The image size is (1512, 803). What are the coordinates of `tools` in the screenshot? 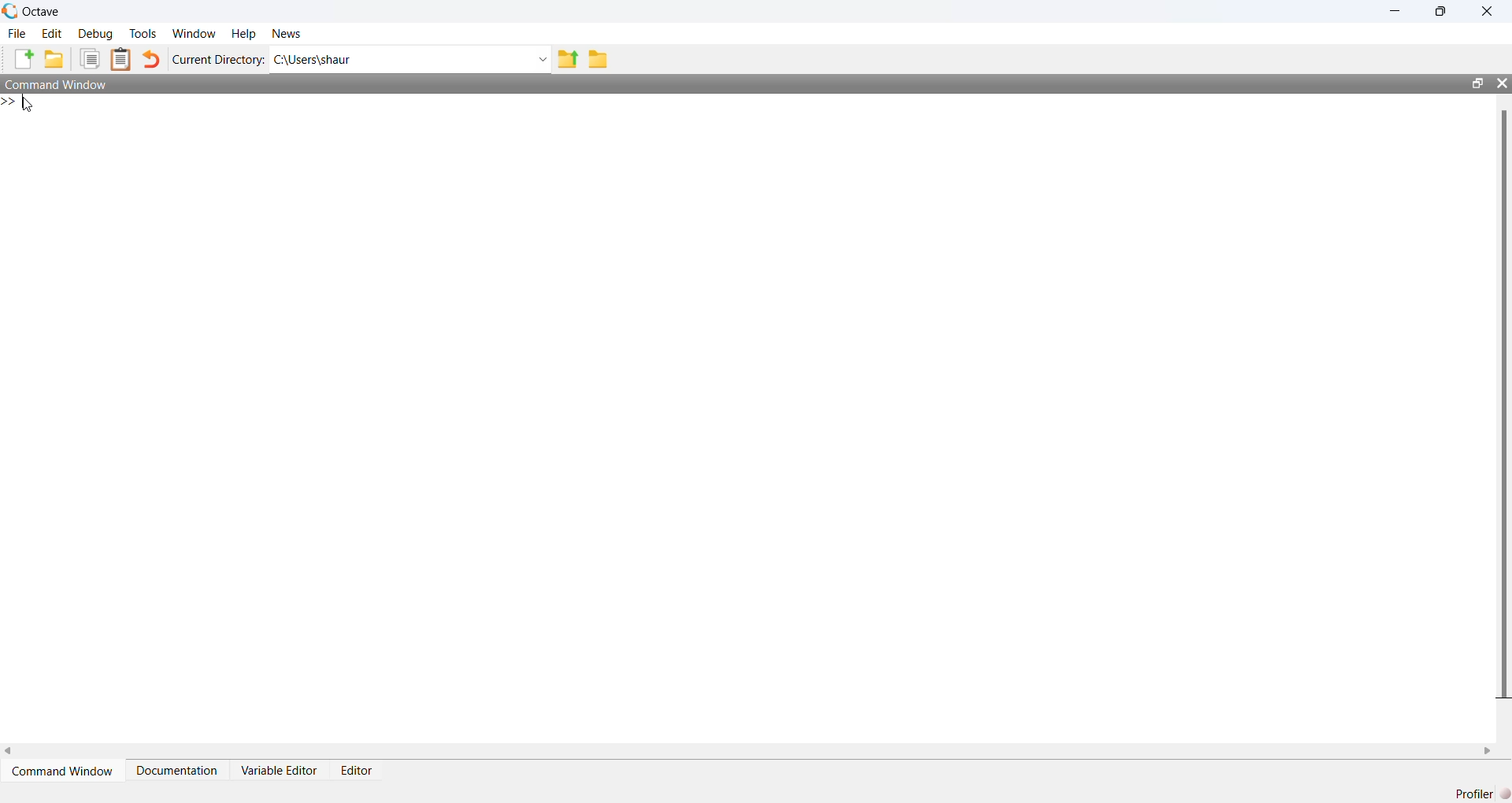 It's located at (146, 34).